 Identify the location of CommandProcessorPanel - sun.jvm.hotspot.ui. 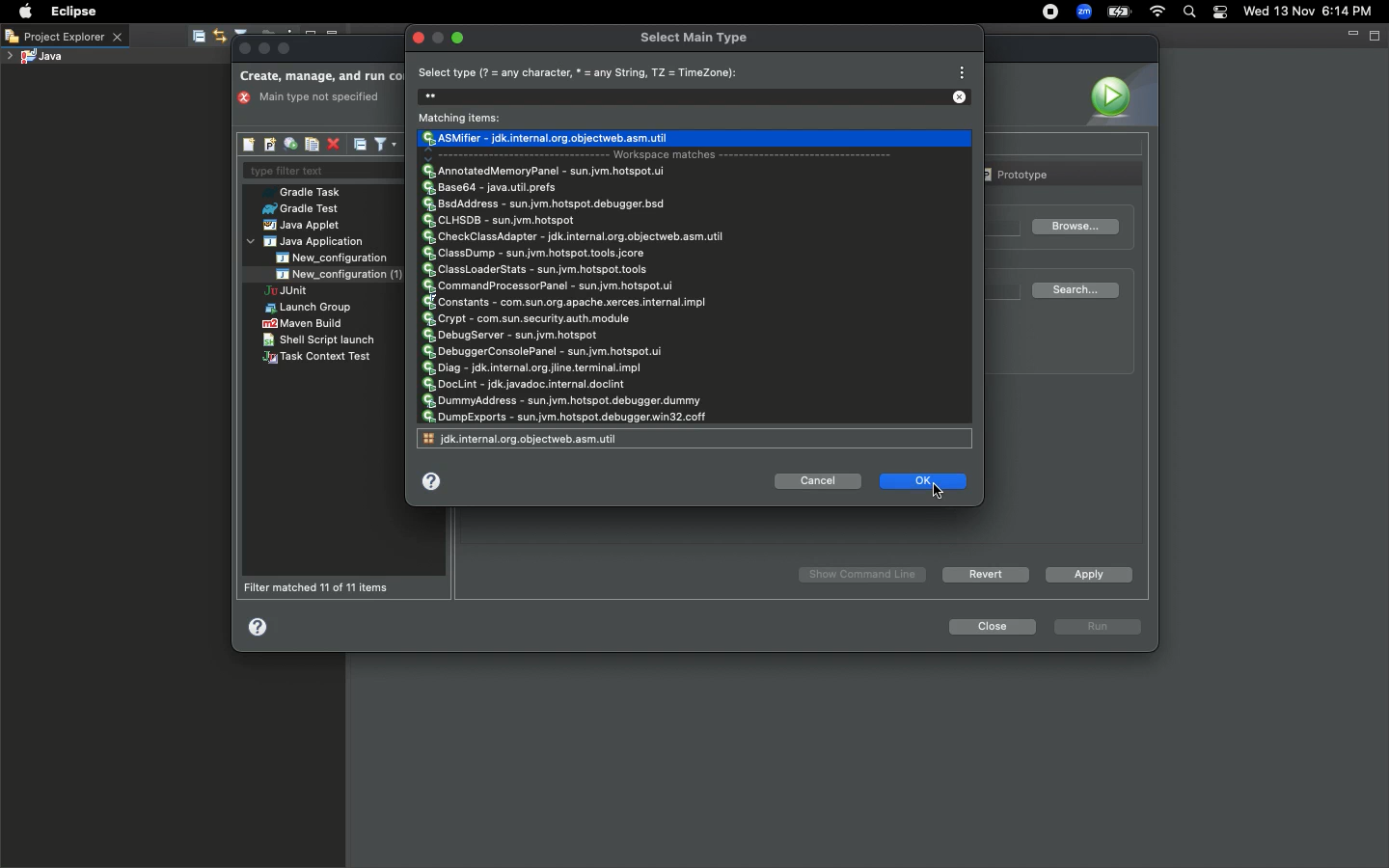
(551, 286).